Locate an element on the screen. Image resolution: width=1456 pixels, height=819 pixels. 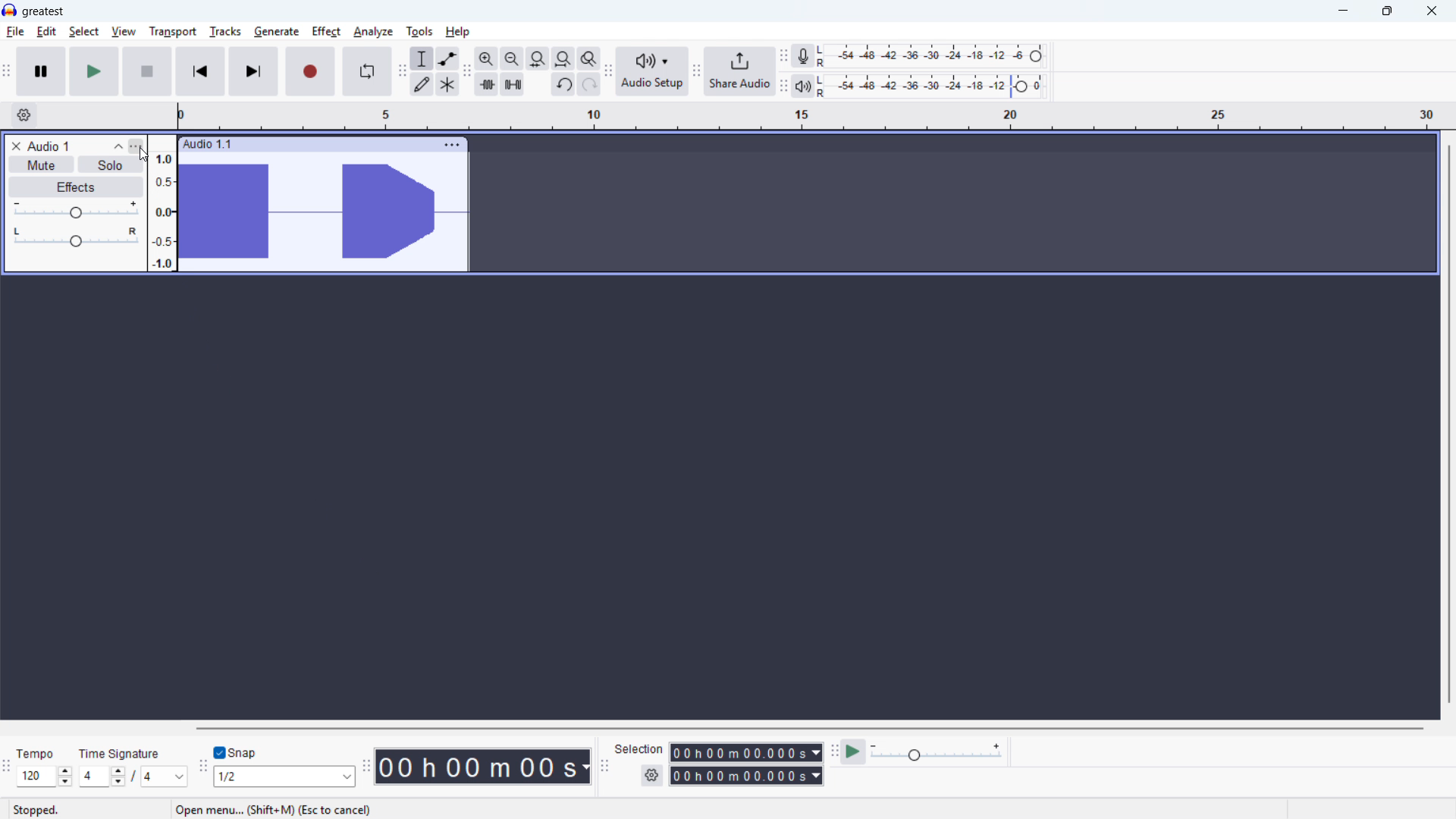
help  is located at coordinates (458, 32).